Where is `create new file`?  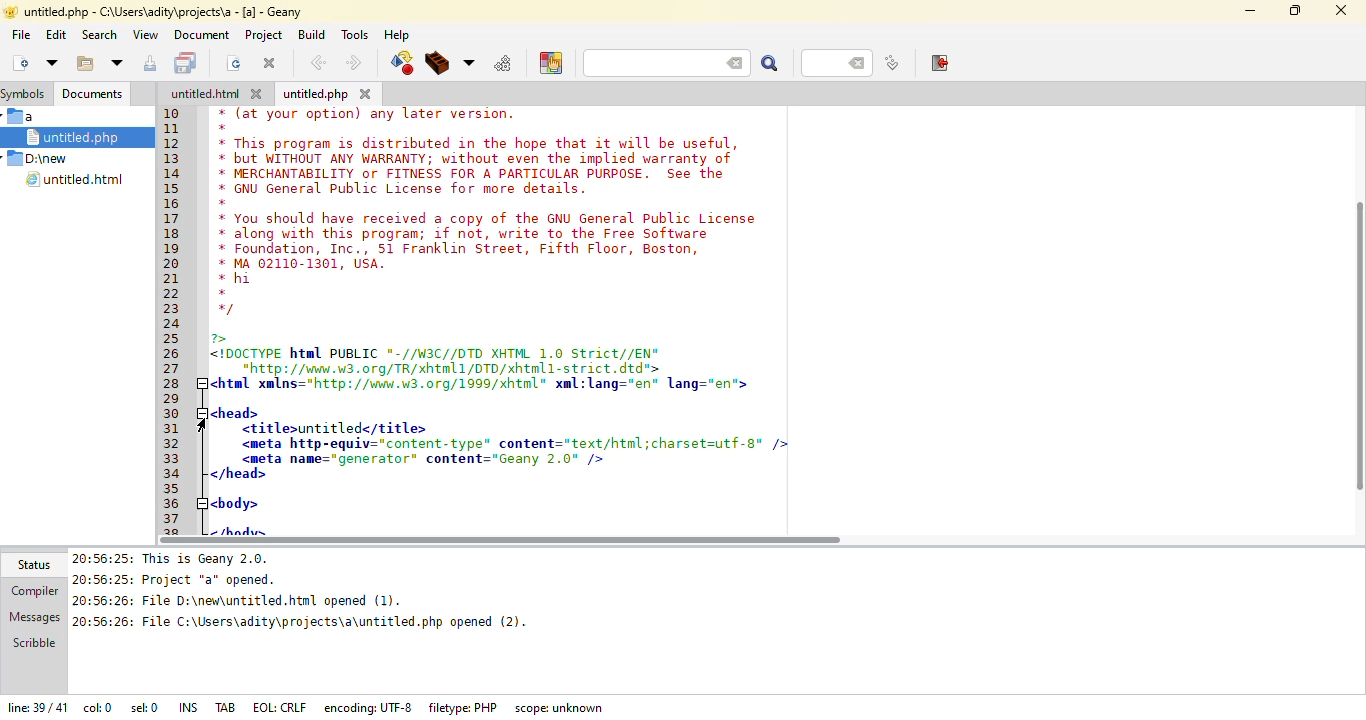
create new file is located at coordinates (19, 62).